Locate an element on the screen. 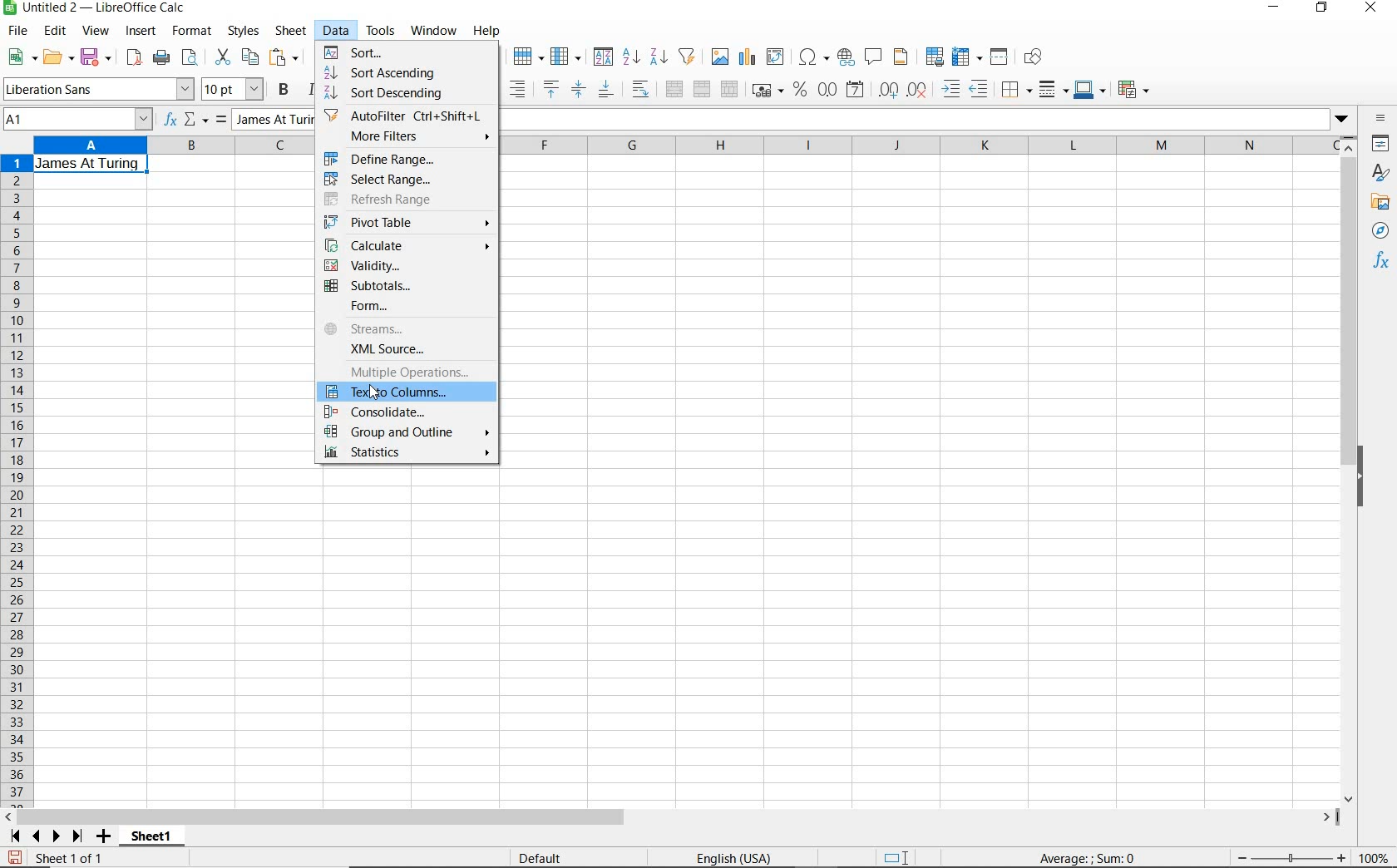 The width and height of the screenshot is (1397, 868). scrollbar is located at coordinates (673, 818).